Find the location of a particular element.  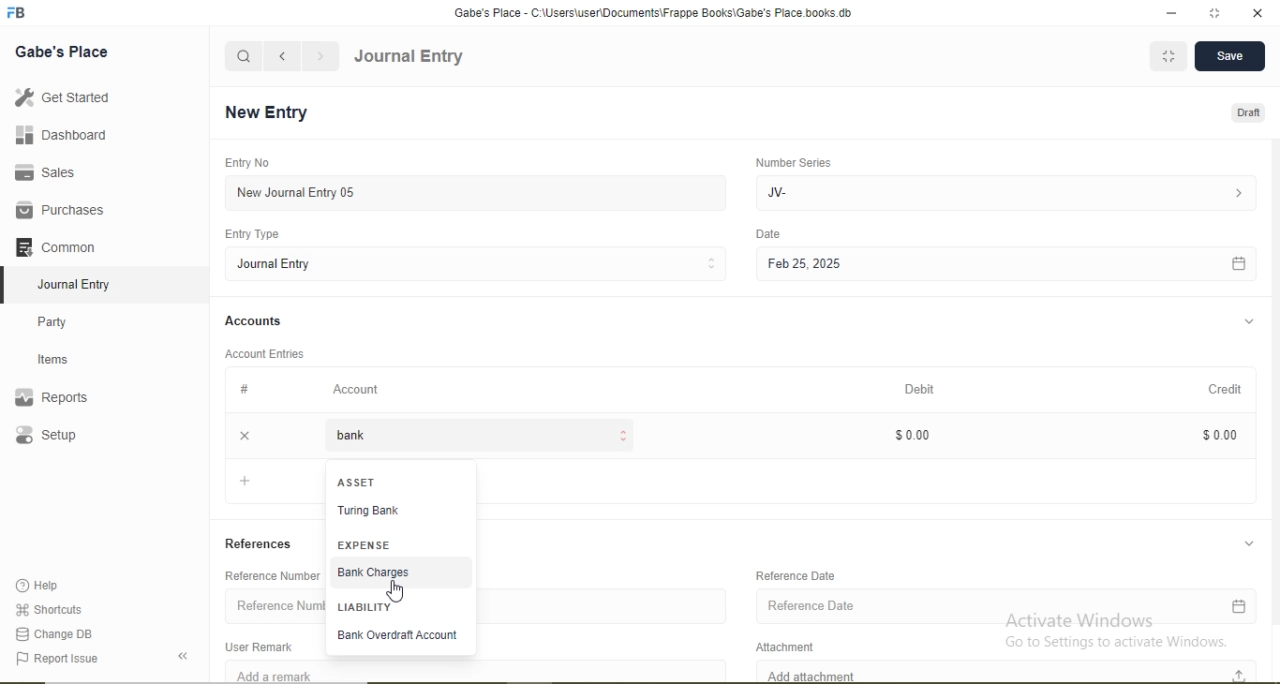

Bank Charges is located at coordinates (404, 575).